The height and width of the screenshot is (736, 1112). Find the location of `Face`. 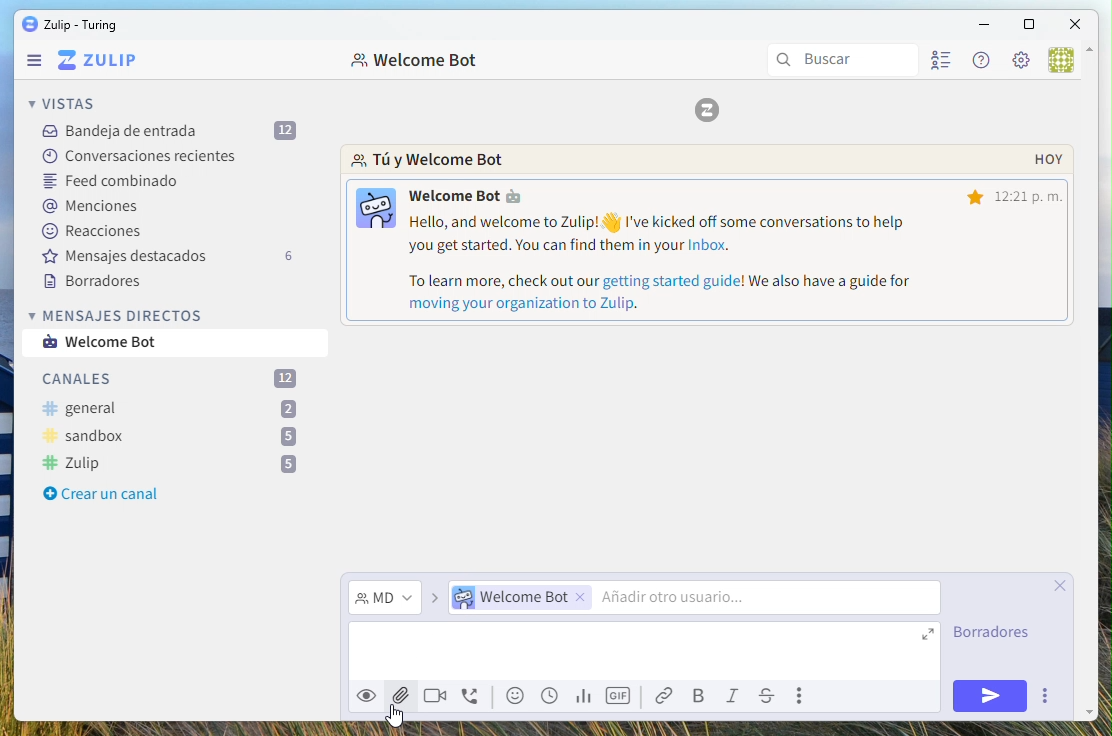

Face is located at coordinates (518, 696).